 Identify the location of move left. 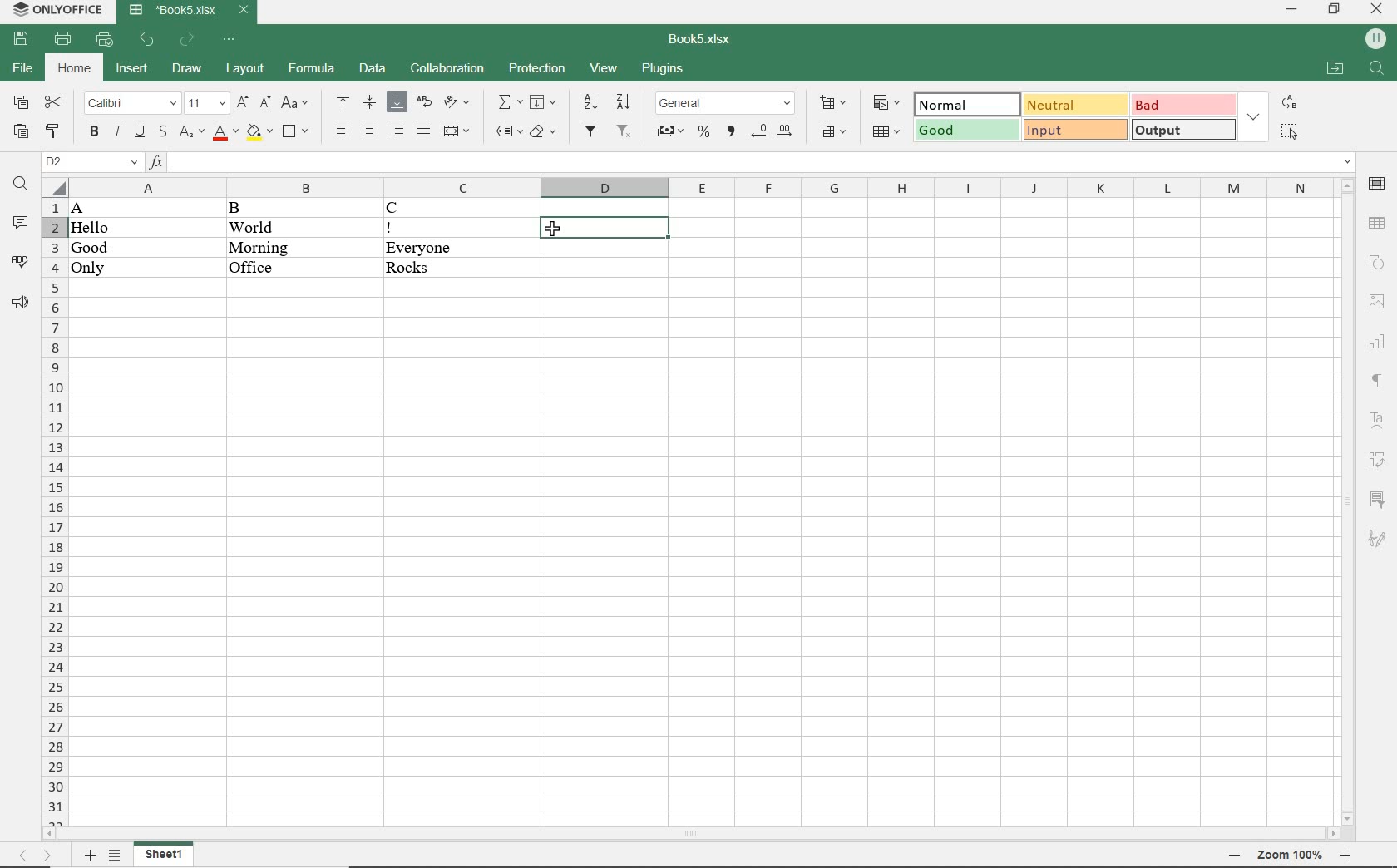
(52, 832).